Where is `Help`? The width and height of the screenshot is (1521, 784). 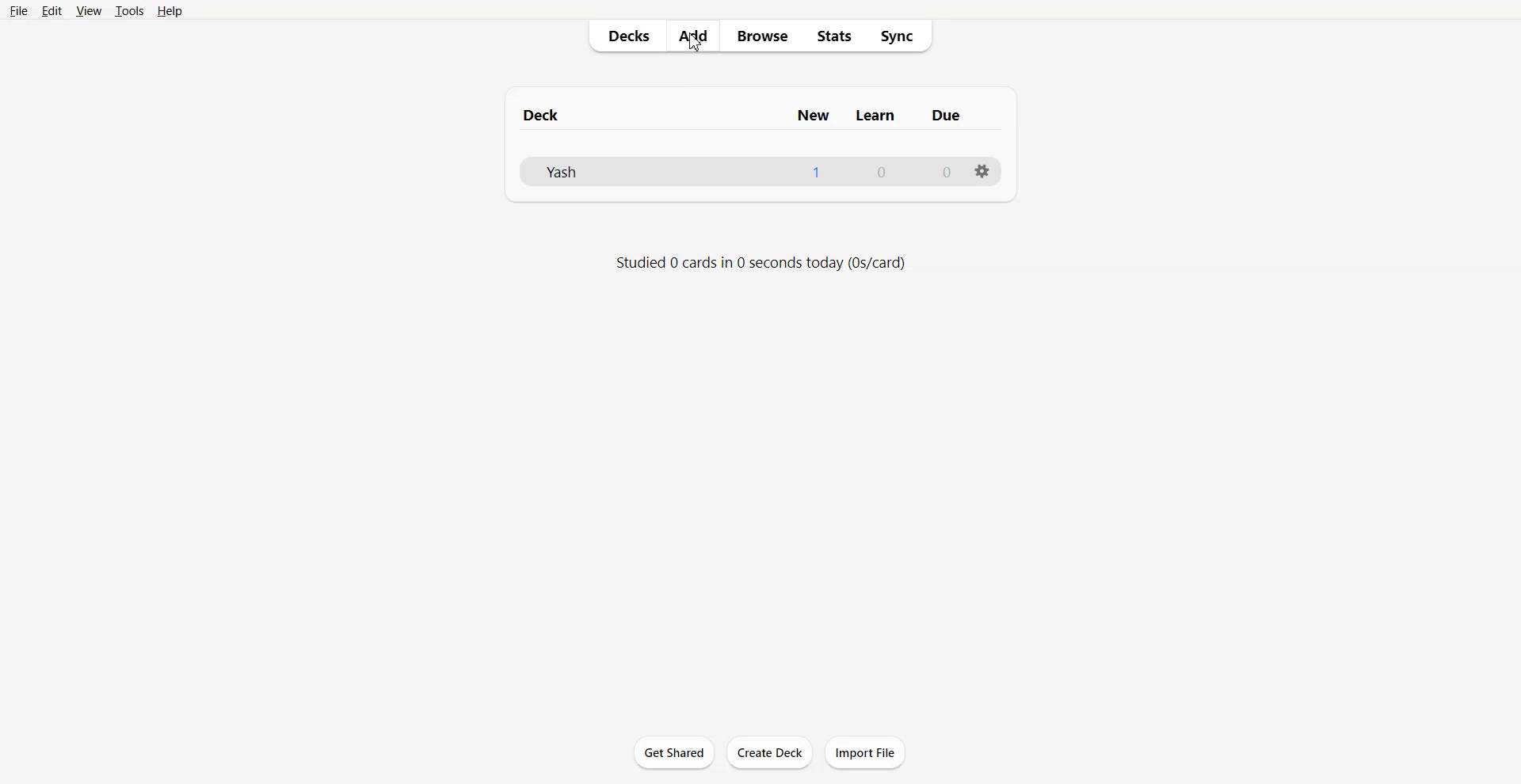
Help is located at coordinates (173, 12).